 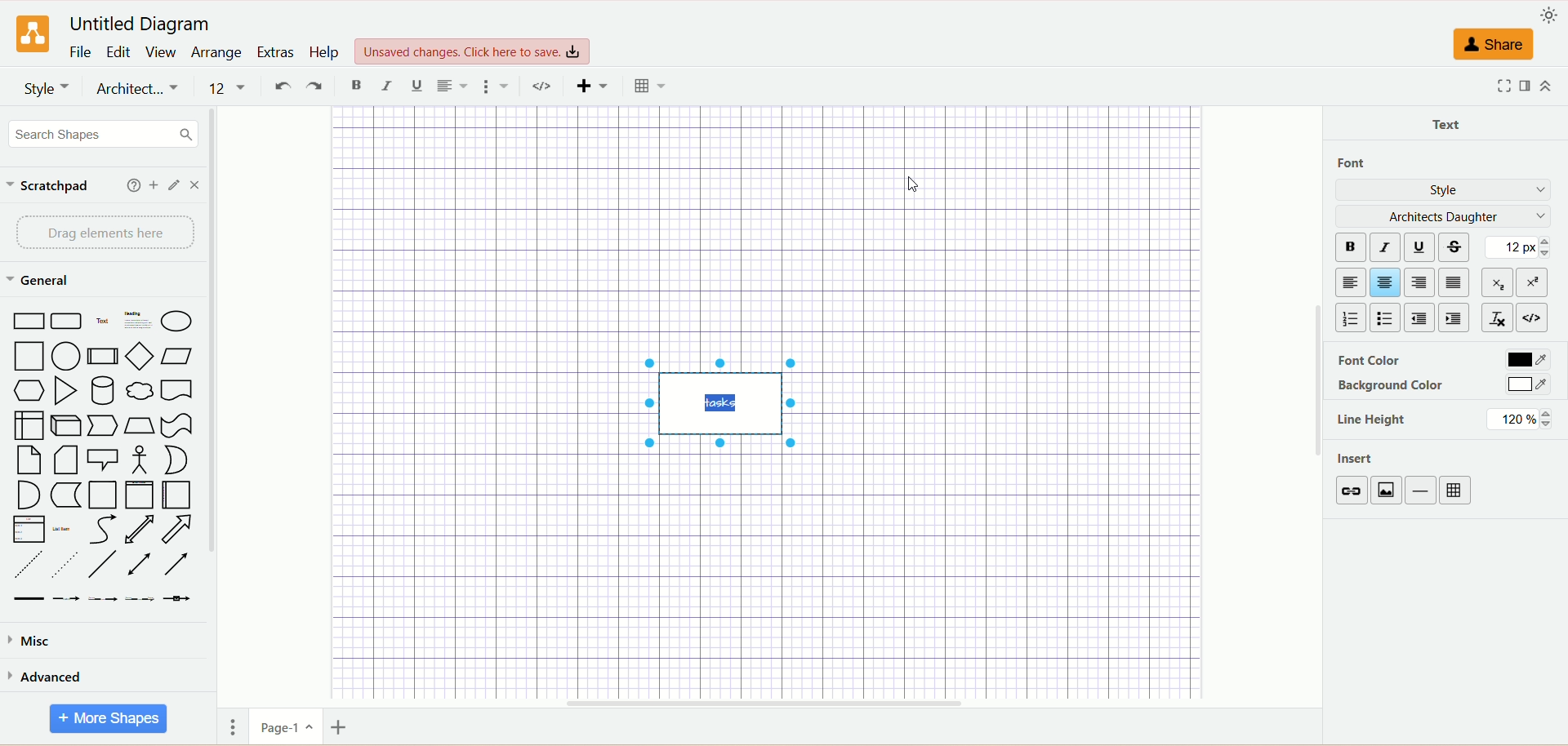 I want to click on bulleted list, so click(x=1386, y=316).